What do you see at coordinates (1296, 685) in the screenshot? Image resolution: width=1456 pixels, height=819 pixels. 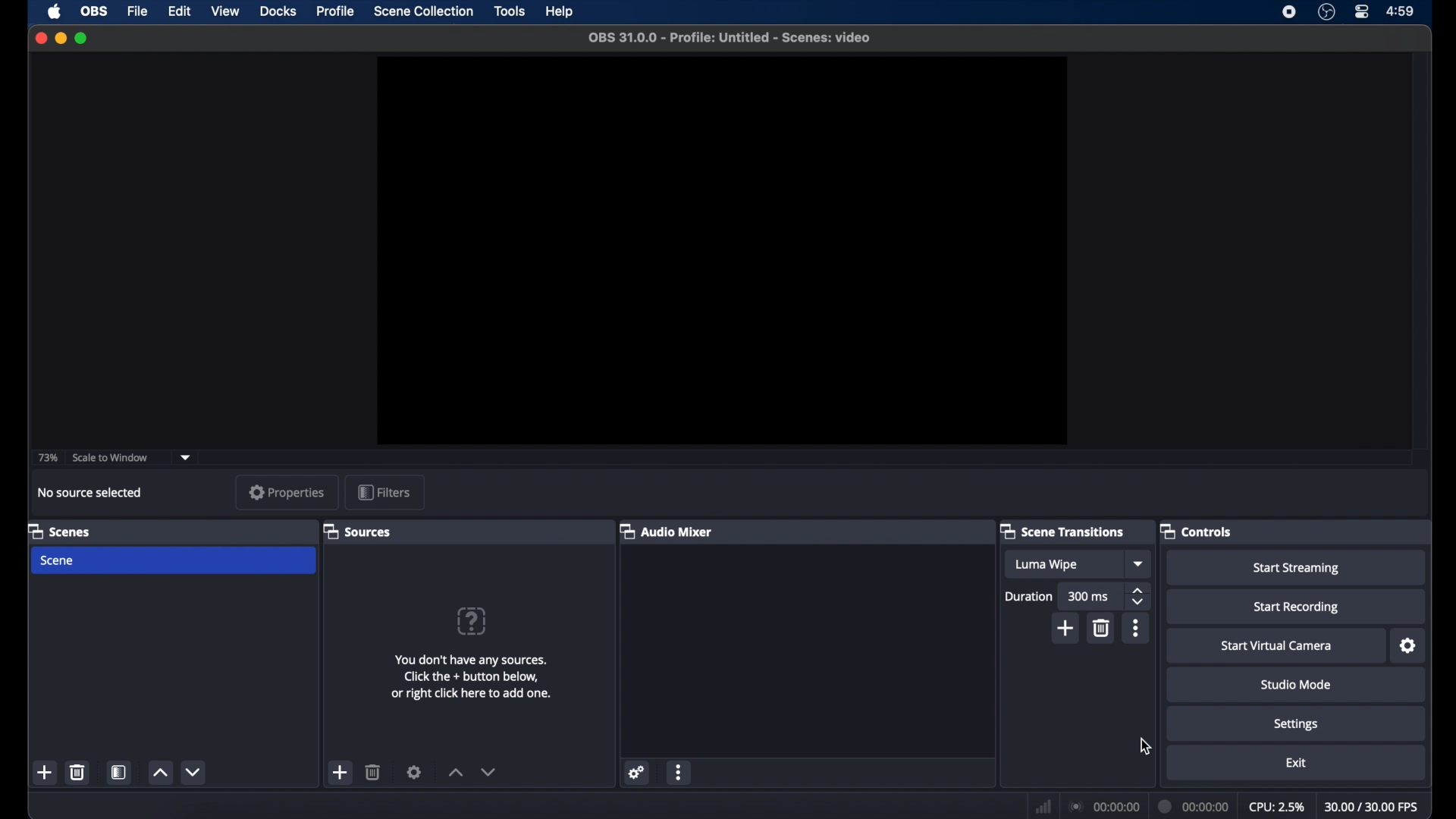 I see `studio mode` at bounding box center [1296, 685].